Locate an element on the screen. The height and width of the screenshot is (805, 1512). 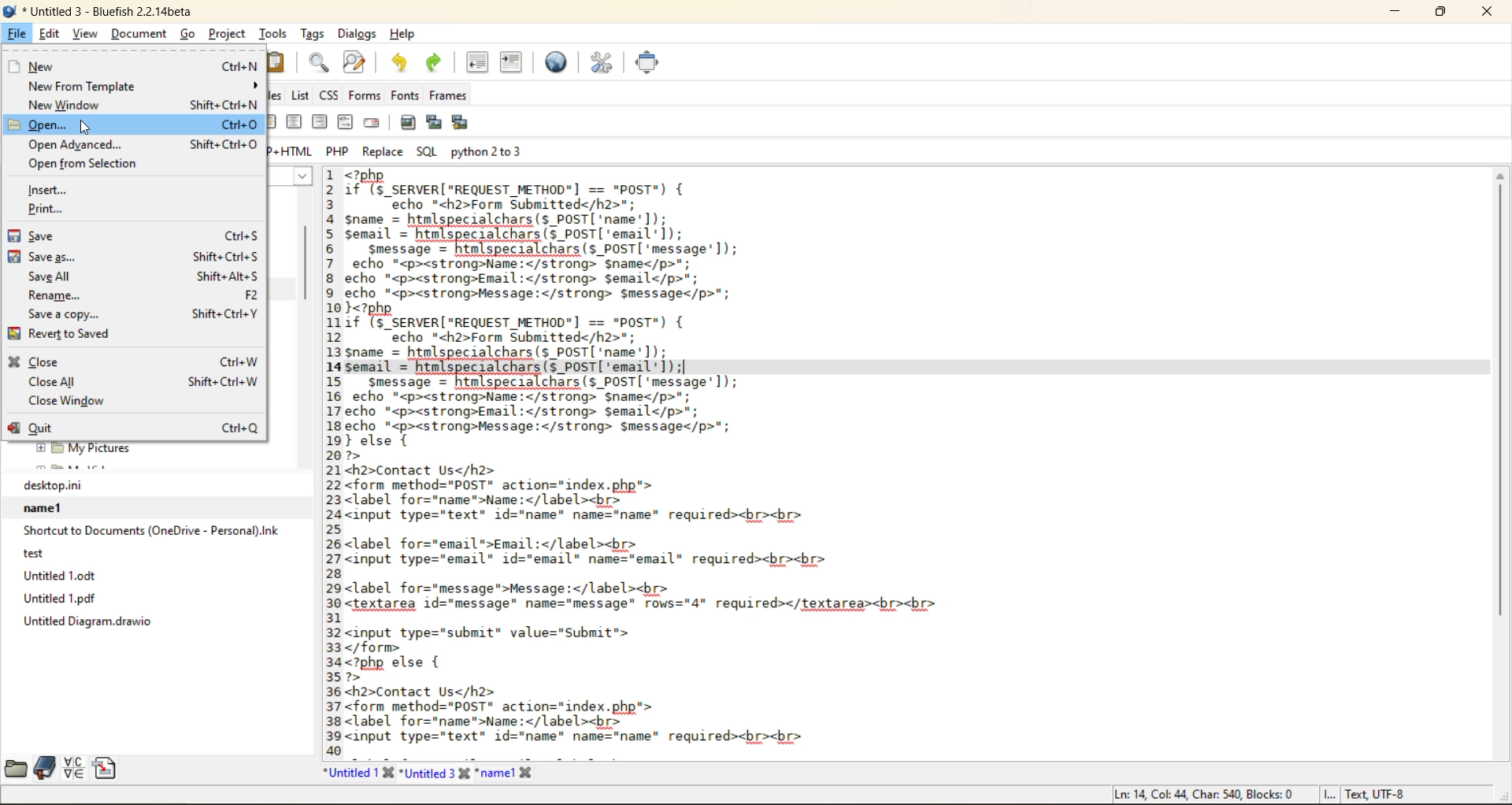
save as is located at coordinates (133, 257).